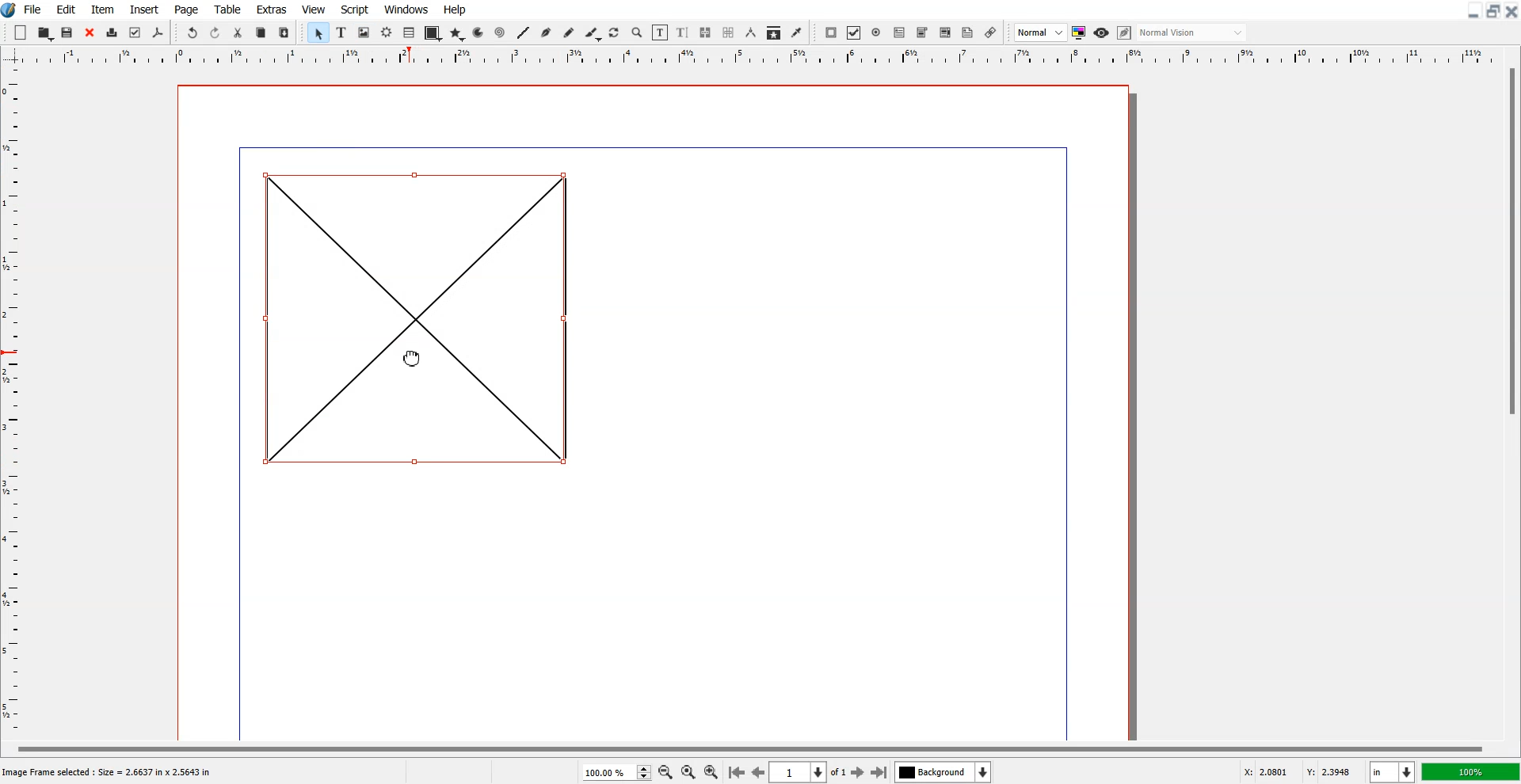 This screenshot has width=1521, height=784. I want to click on Paste, so click(284, 32).